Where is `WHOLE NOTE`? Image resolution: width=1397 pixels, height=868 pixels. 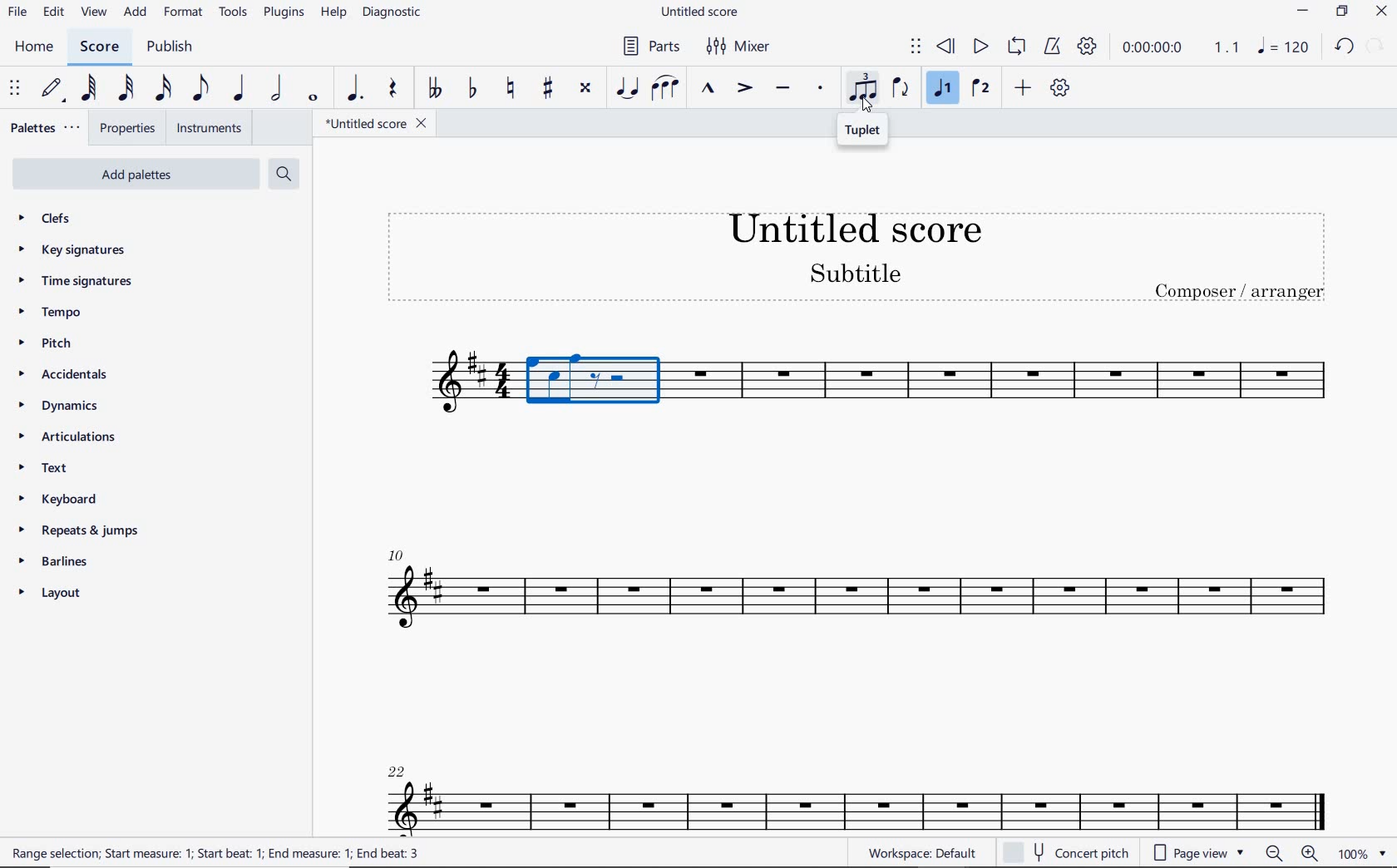
WHOLE NOTE is located at coordinates (313, 99).